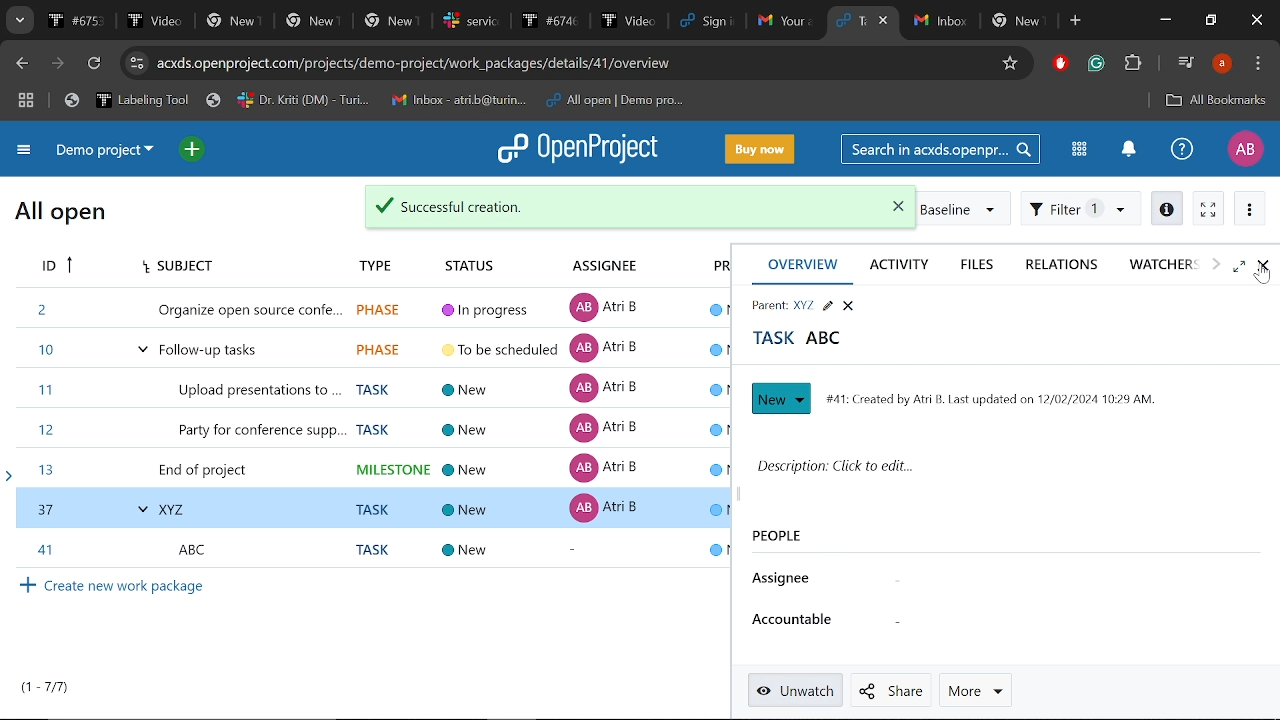  What do you see at coordinates (780, 541) in the screenshot?
I see `People` at bounding box center [780, 541].